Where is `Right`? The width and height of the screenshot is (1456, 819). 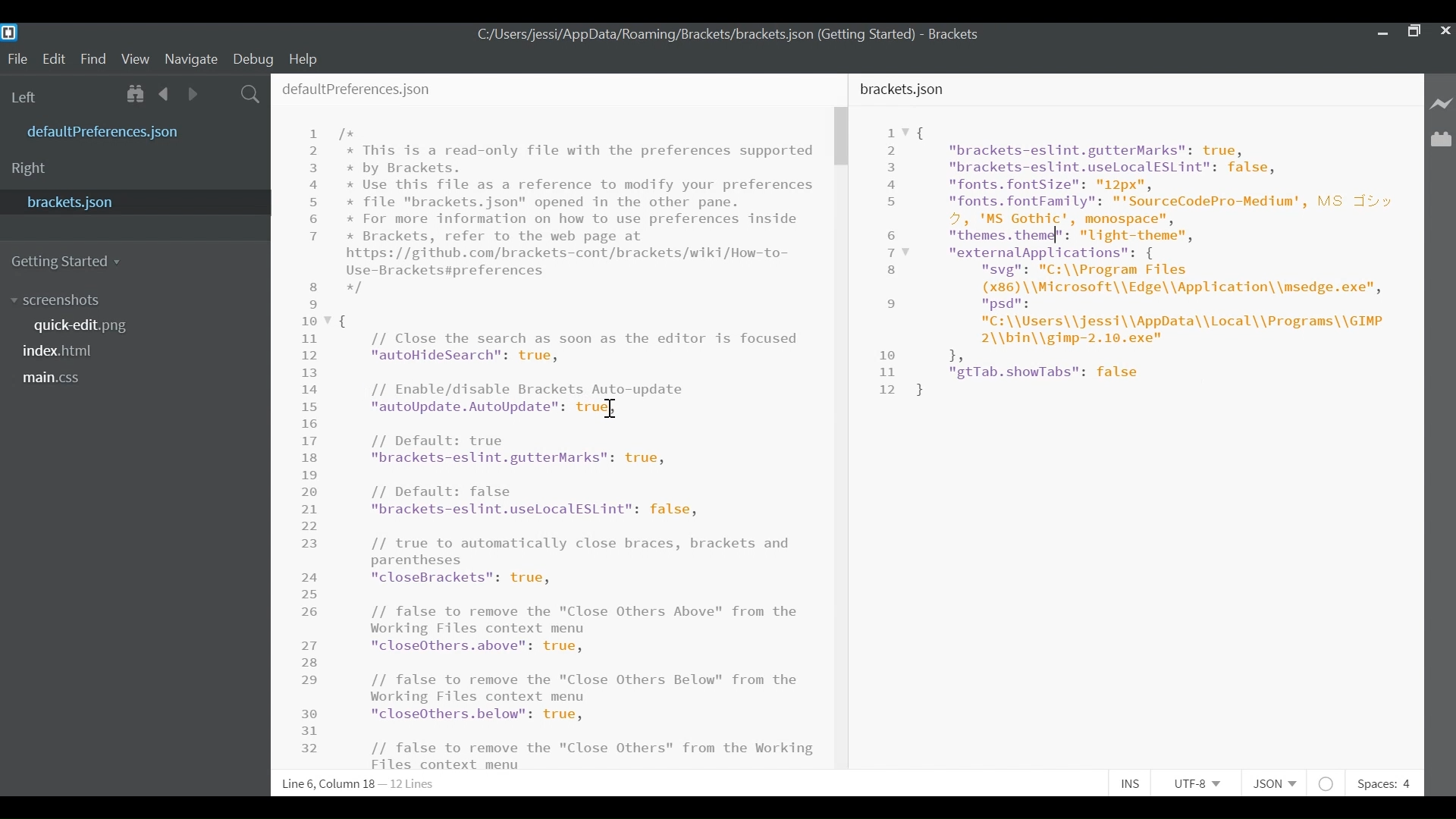 Right is located at coordinates (29, 169).